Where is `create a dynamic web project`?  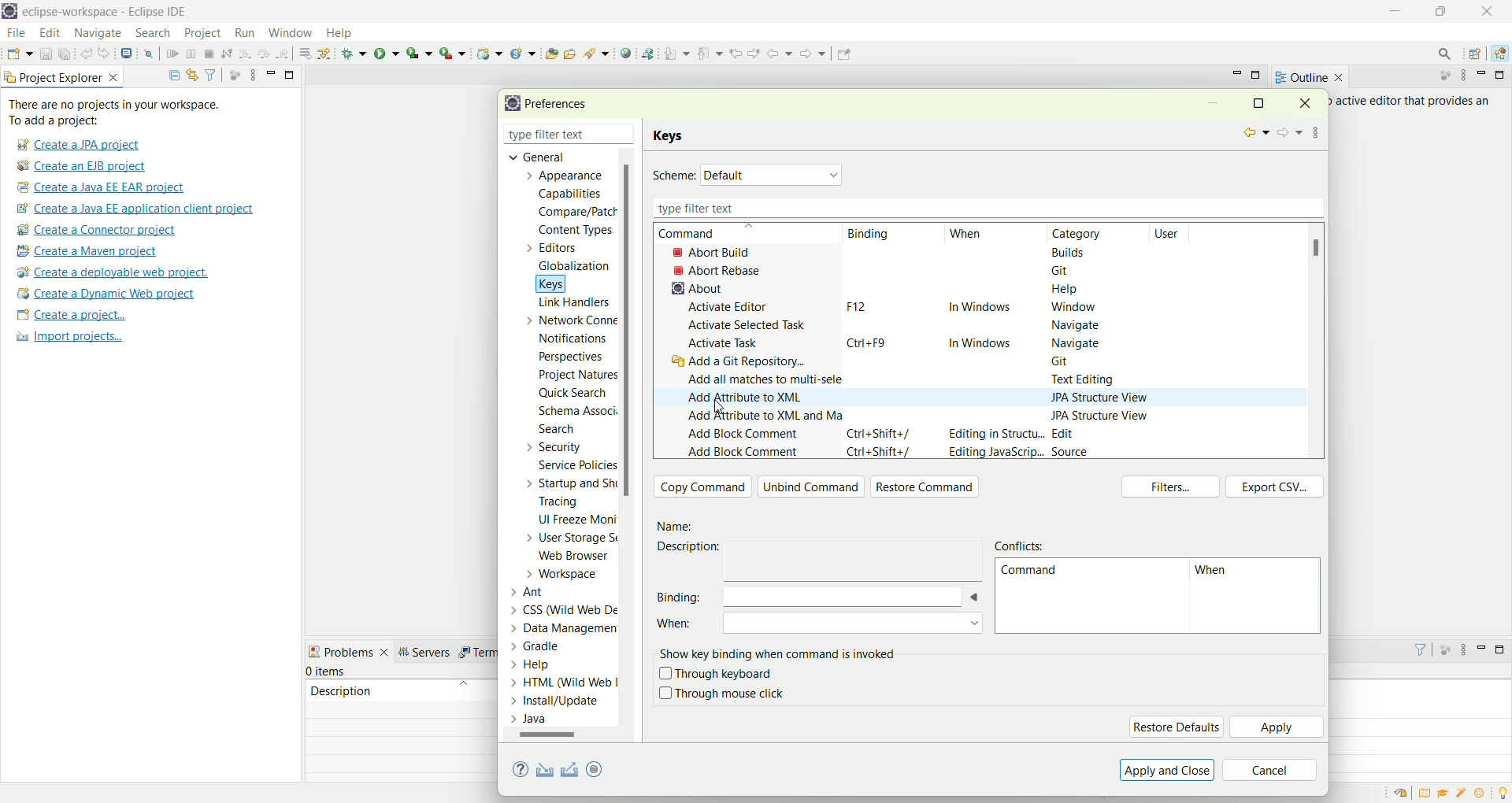
create a dynamic web project is located at coordinates (487, 52).